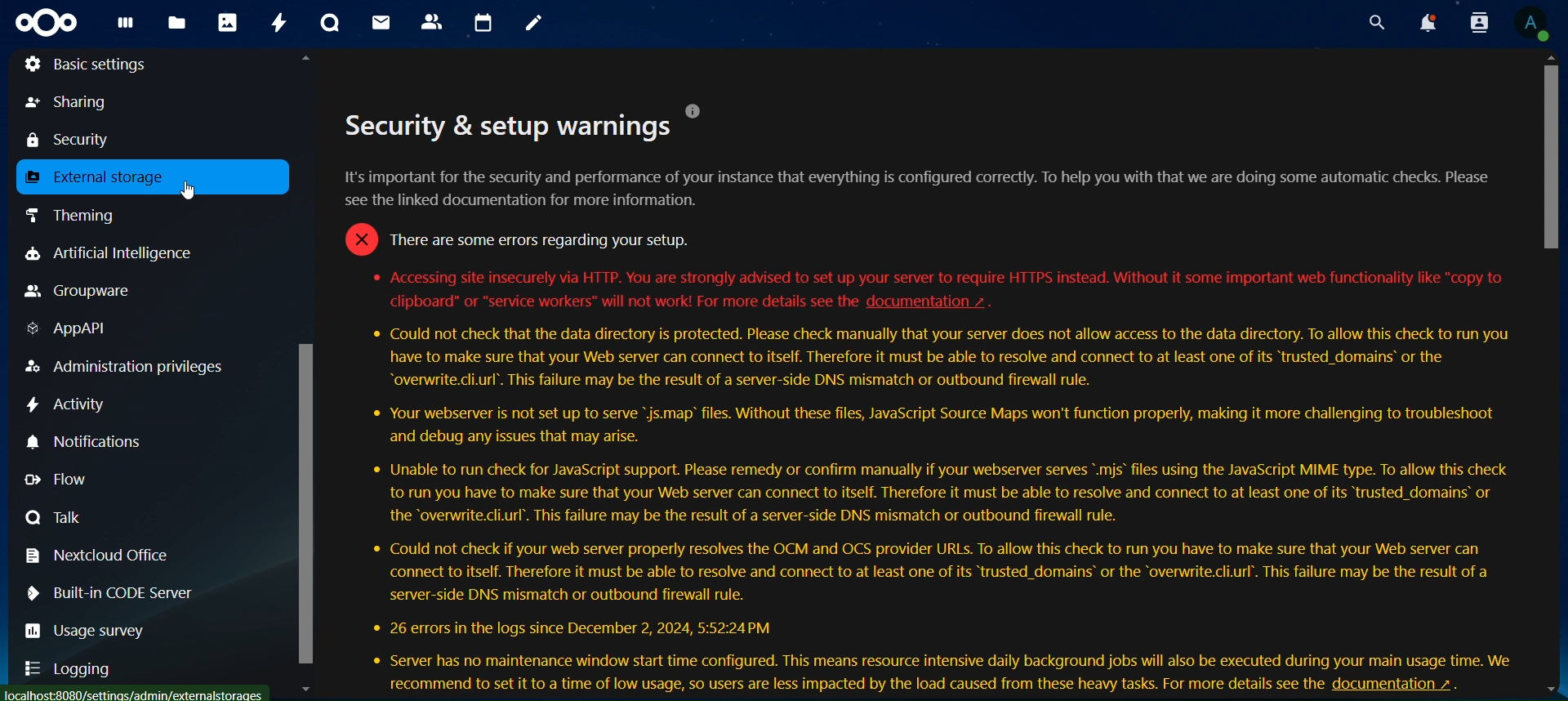  I want to click on notes, so click(532, 23).